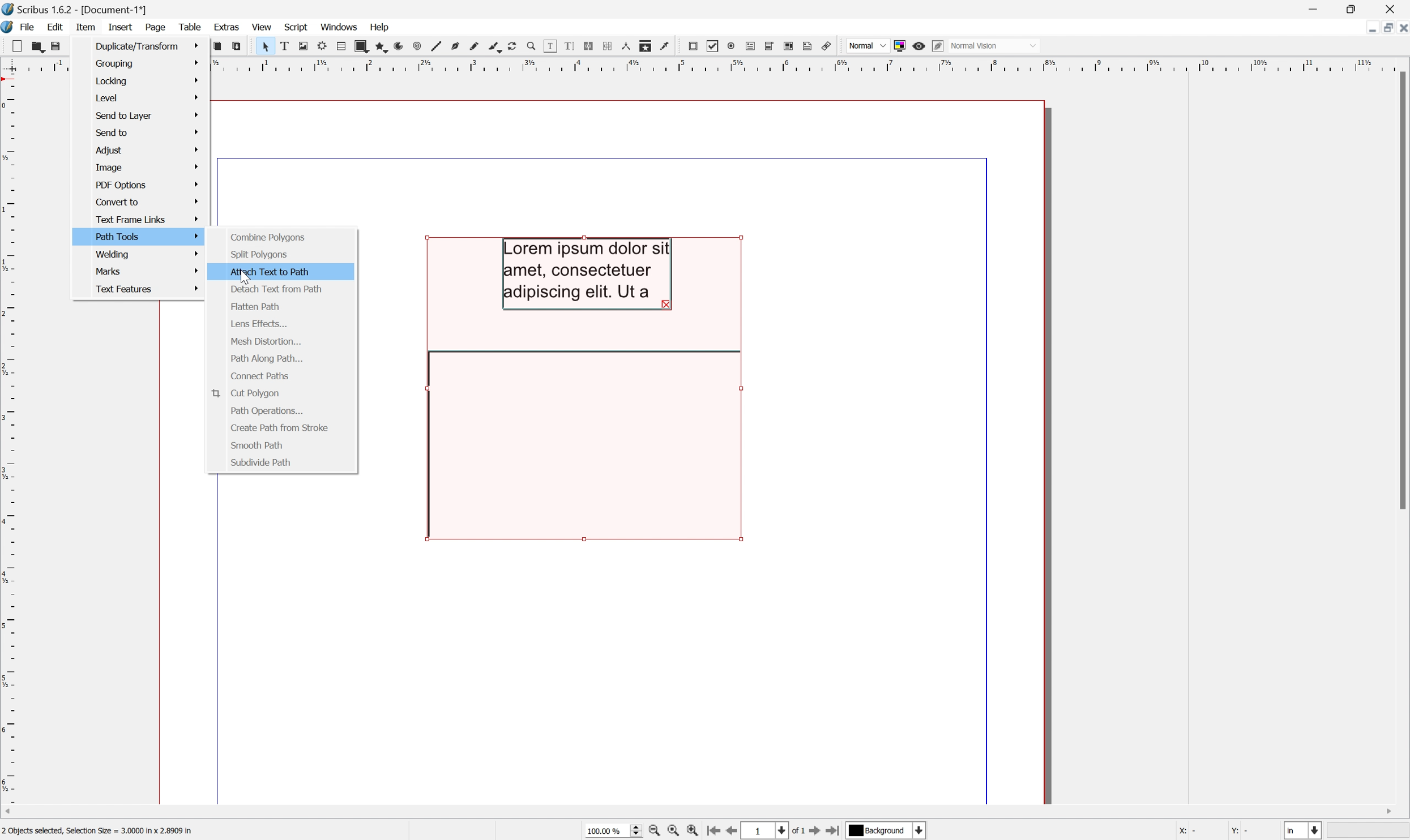  Describe the element at coordinates (1304, 831) in the screenshot. I see `Select the current unit` at that location.